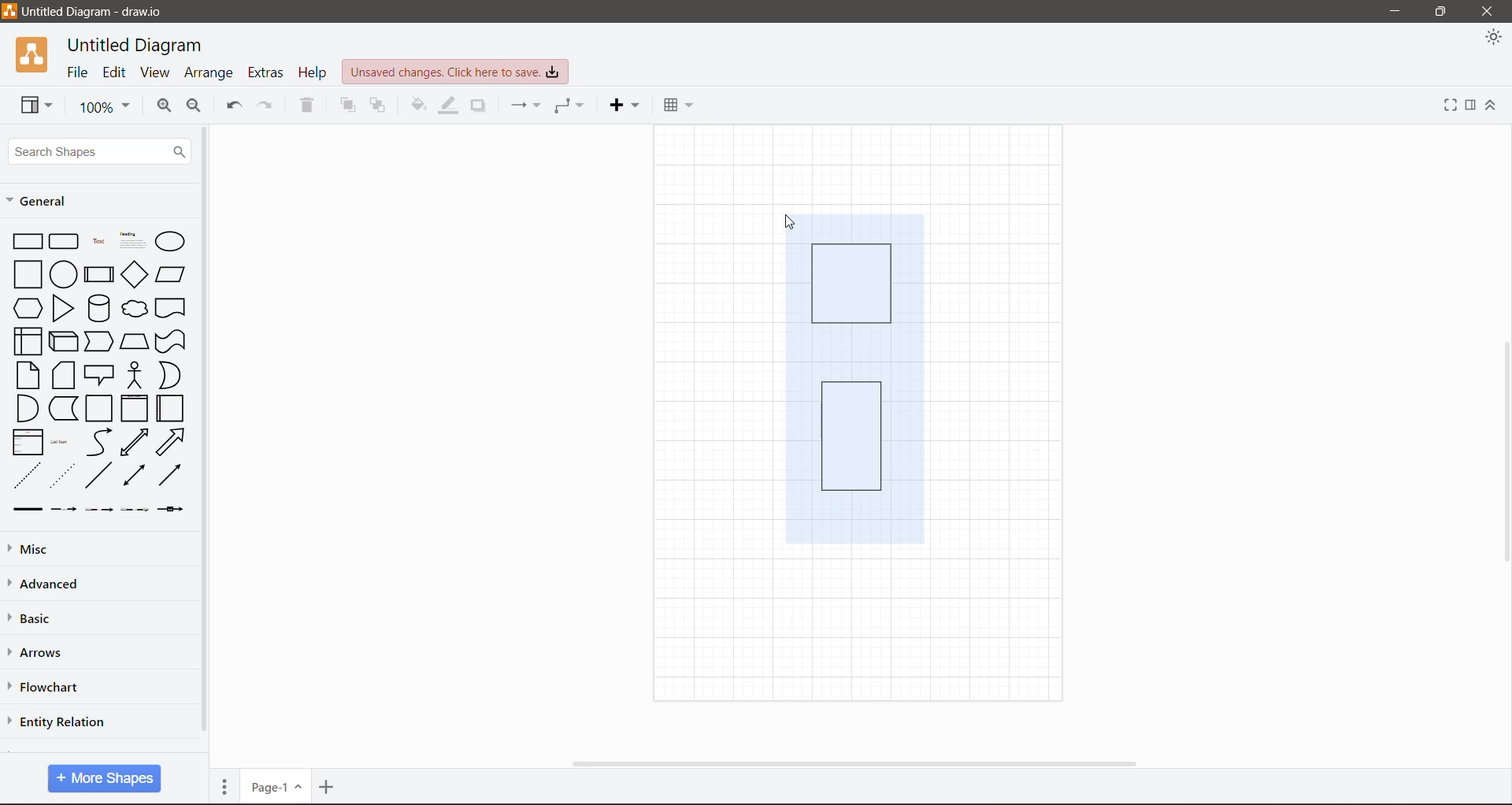 The image size is (1512, 805). Describe the element at coordinates (347, 106) in the screenshot. I see `To Front` at that location.